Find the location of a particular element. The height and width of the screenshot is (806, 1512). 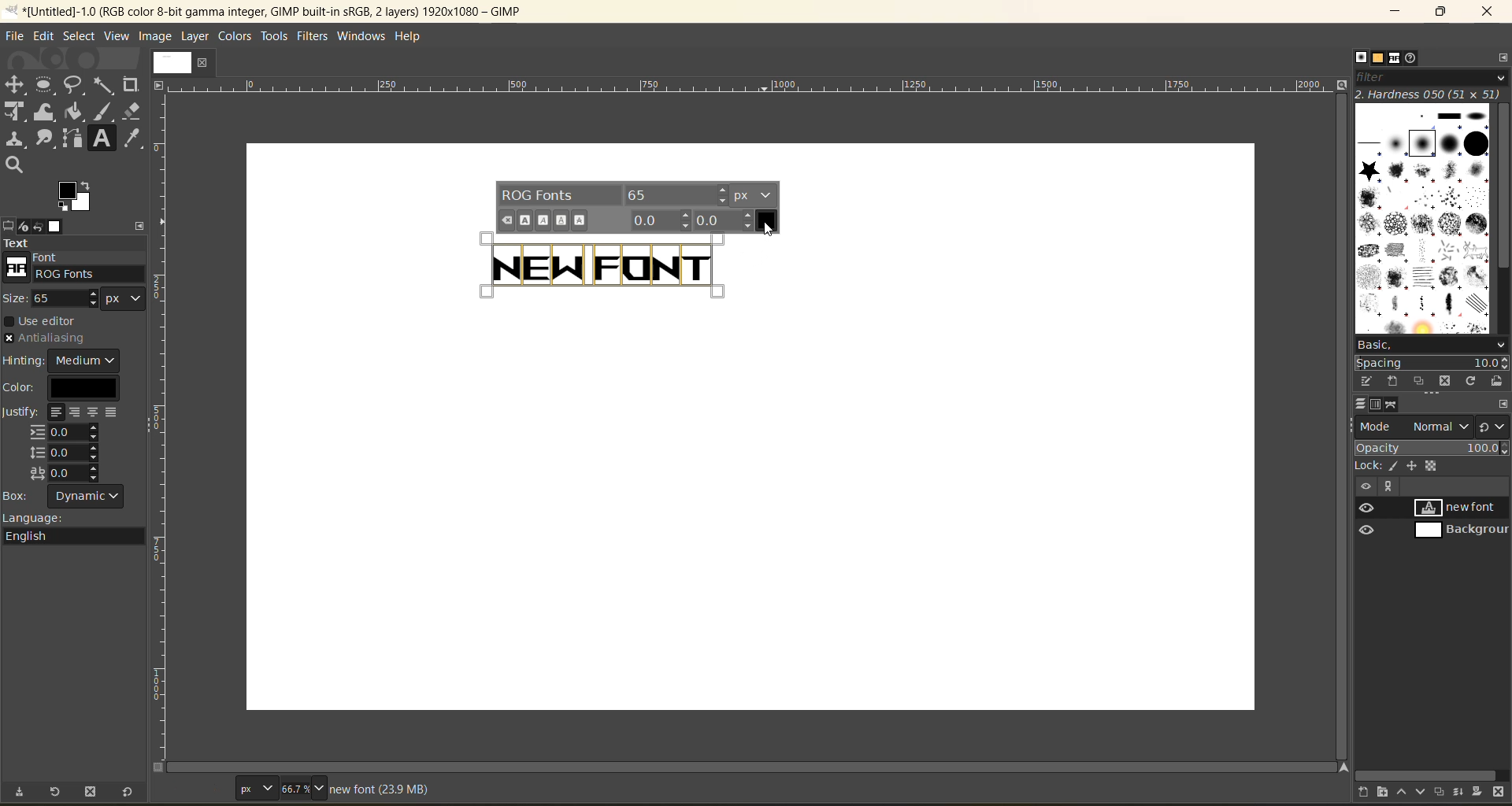

cursor is located at coordinates (710, 259).